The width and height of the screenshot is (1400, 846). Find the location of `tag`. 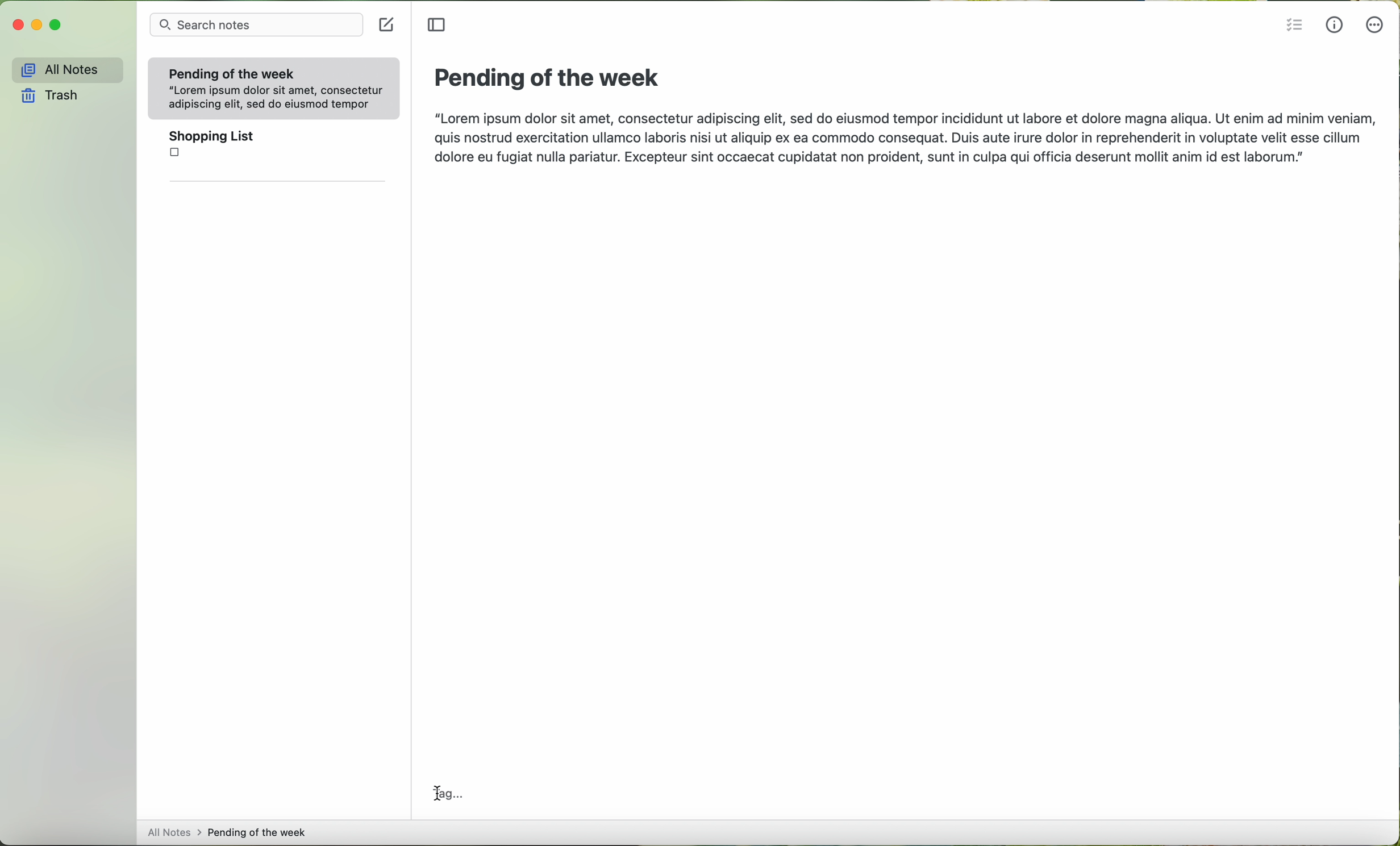

tag is located at coordinates (444, 794).